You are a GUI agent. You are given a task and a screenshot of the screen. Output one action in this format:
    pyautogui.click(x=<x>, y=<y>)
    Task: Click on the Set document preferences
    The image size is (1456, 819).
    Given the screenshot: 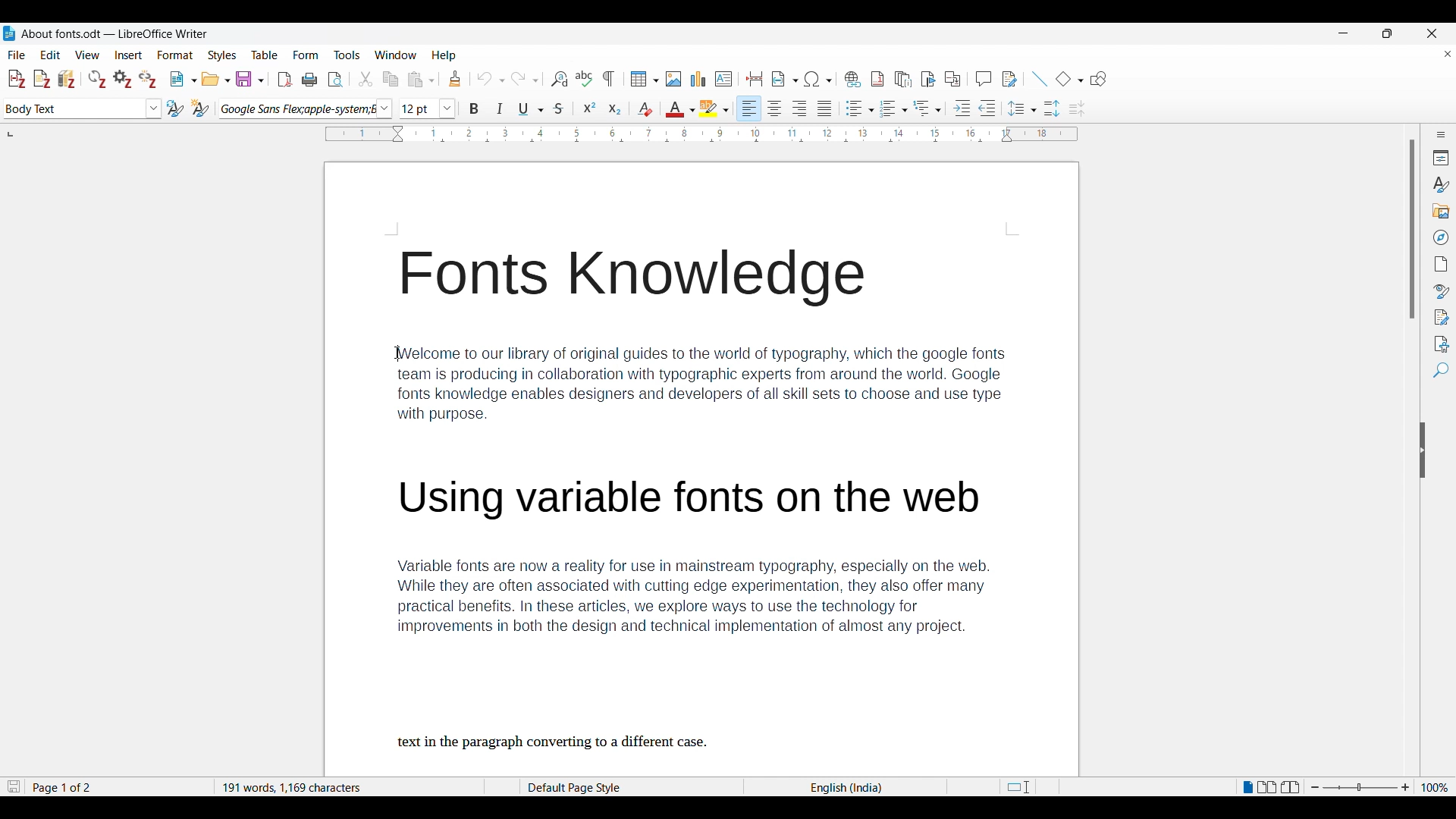 What is the action you would take?
    pyautogui.click(x=123, y=79)
    